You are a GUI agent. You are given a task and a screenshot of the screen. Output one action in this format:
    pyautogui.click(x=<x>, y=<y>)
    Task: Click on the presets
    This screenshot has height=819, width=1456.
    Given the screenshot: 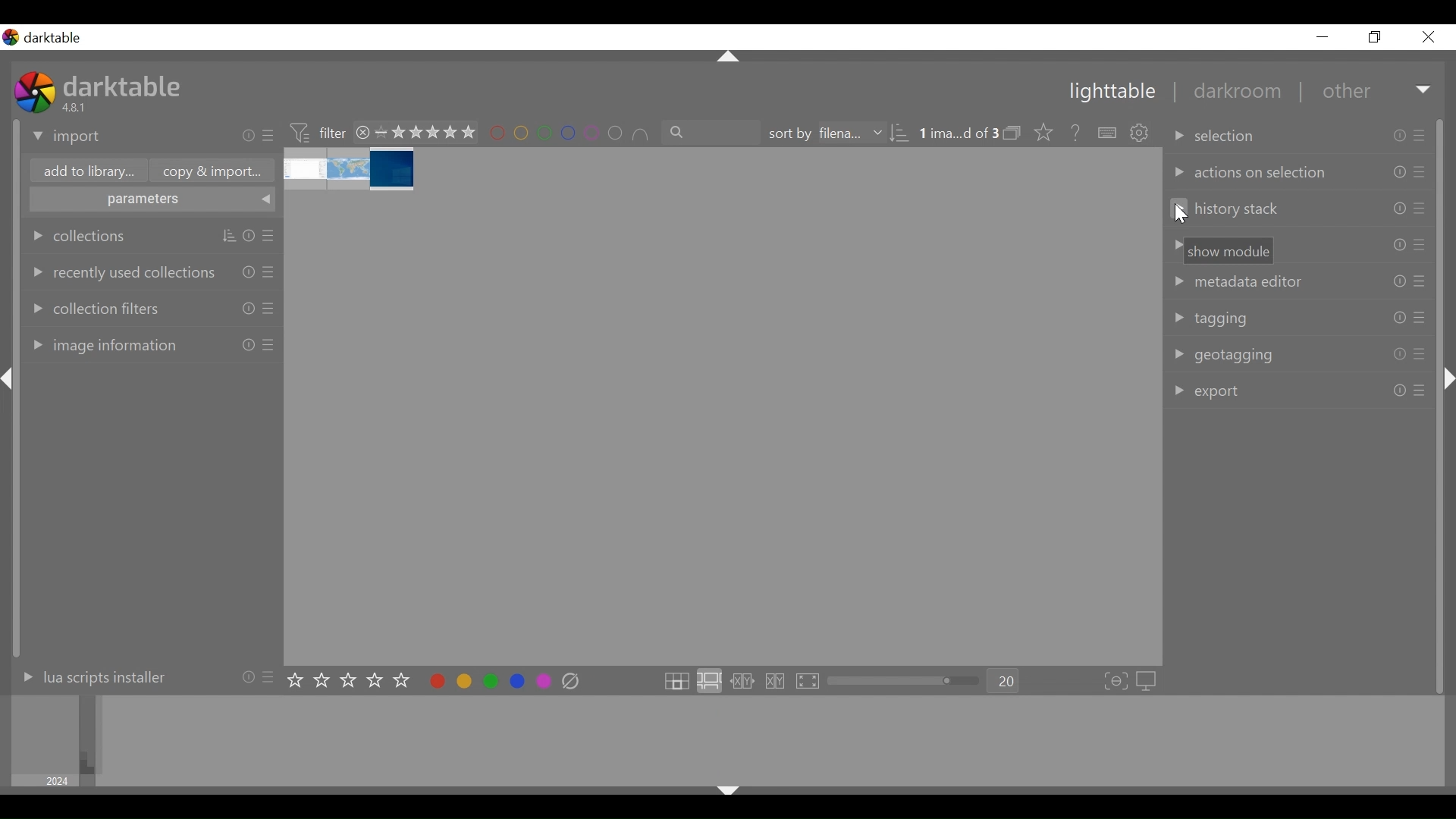 What is the action you would take?
    pyautogui.click(x=1421, y=209)
    